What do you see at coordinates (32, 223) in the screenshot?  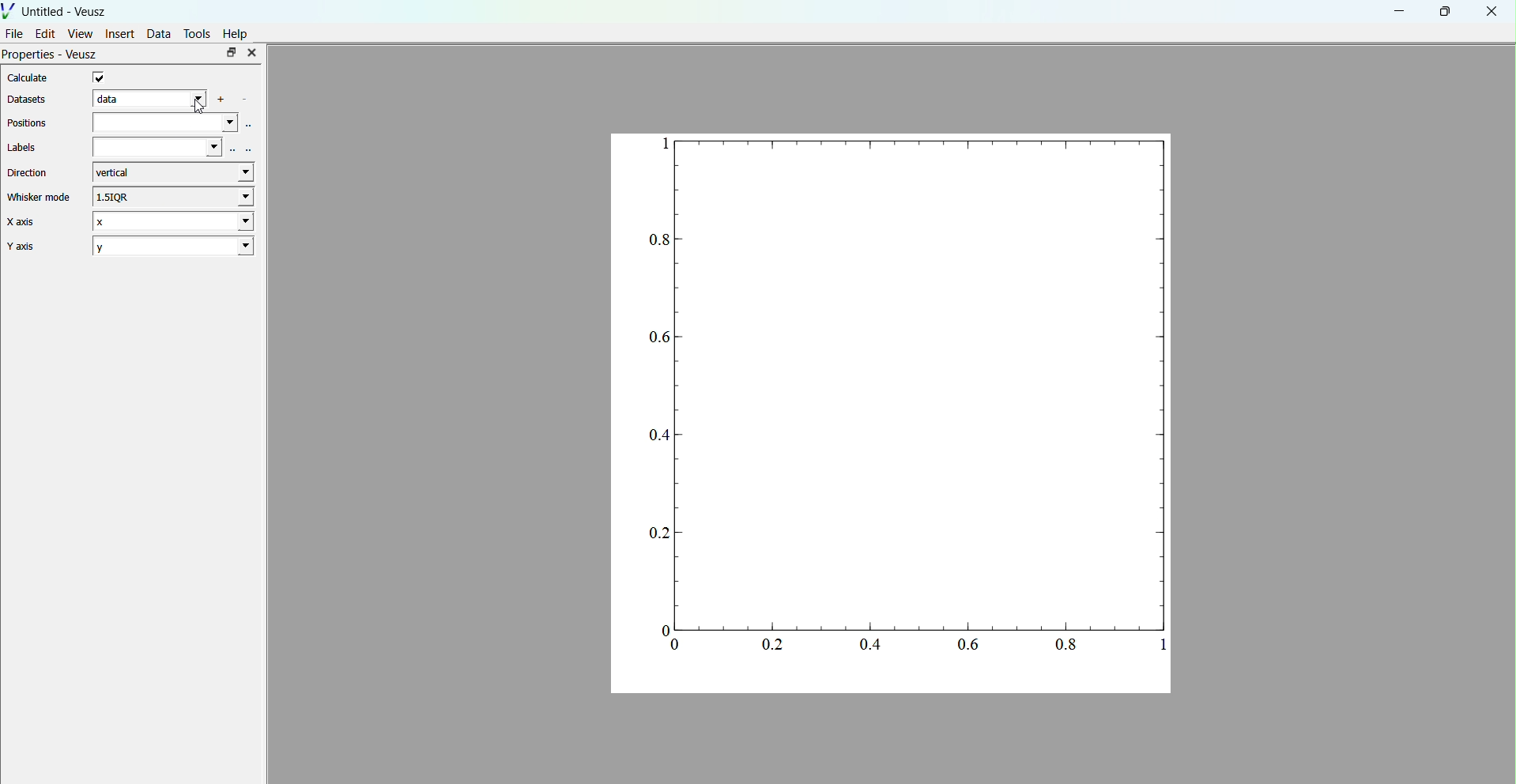 I see `X axis` at bounding box center [32, 223].